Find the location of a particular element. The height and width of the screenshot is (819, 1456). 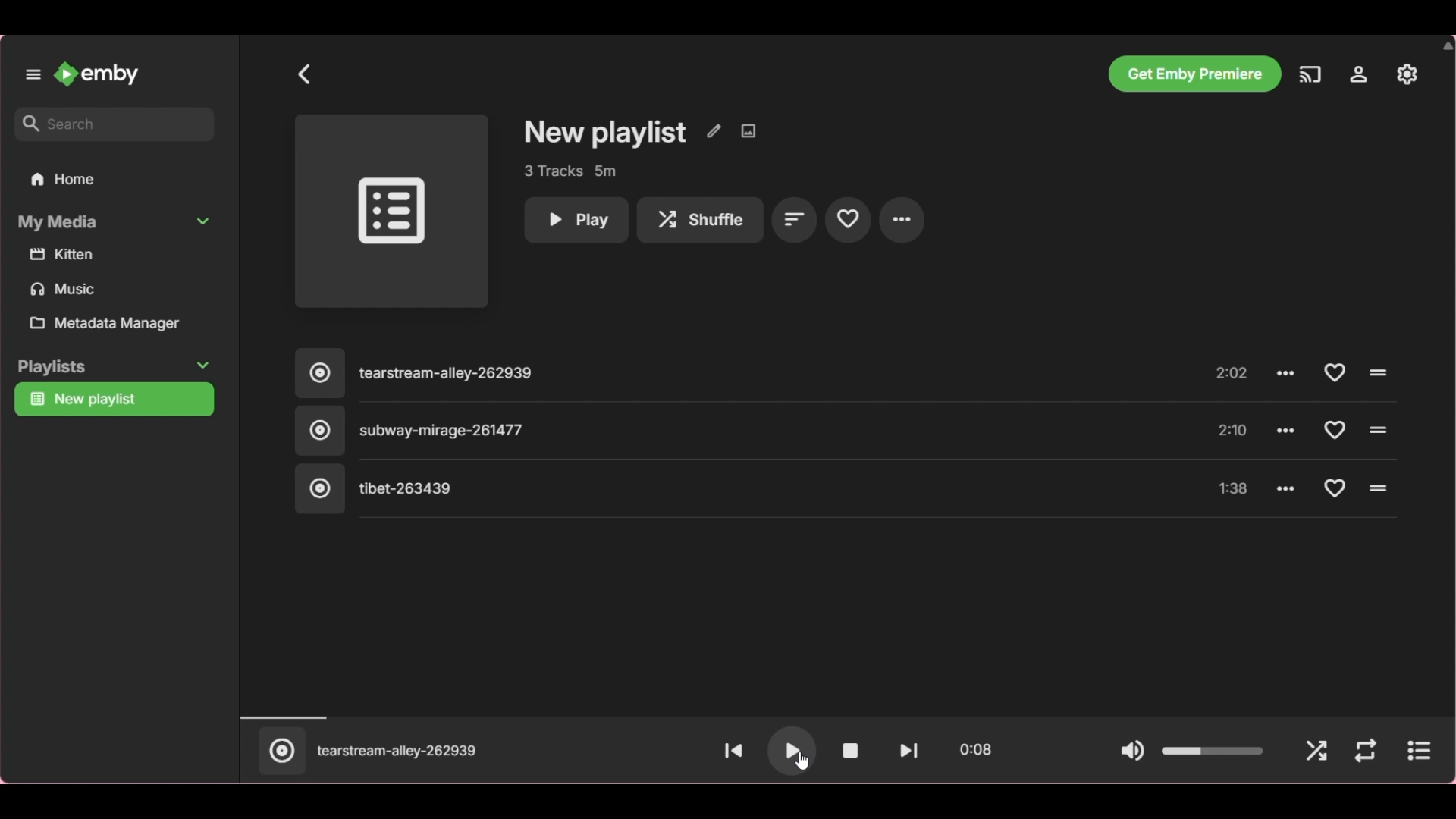

Playlist name is located at coordinates (606, 133).